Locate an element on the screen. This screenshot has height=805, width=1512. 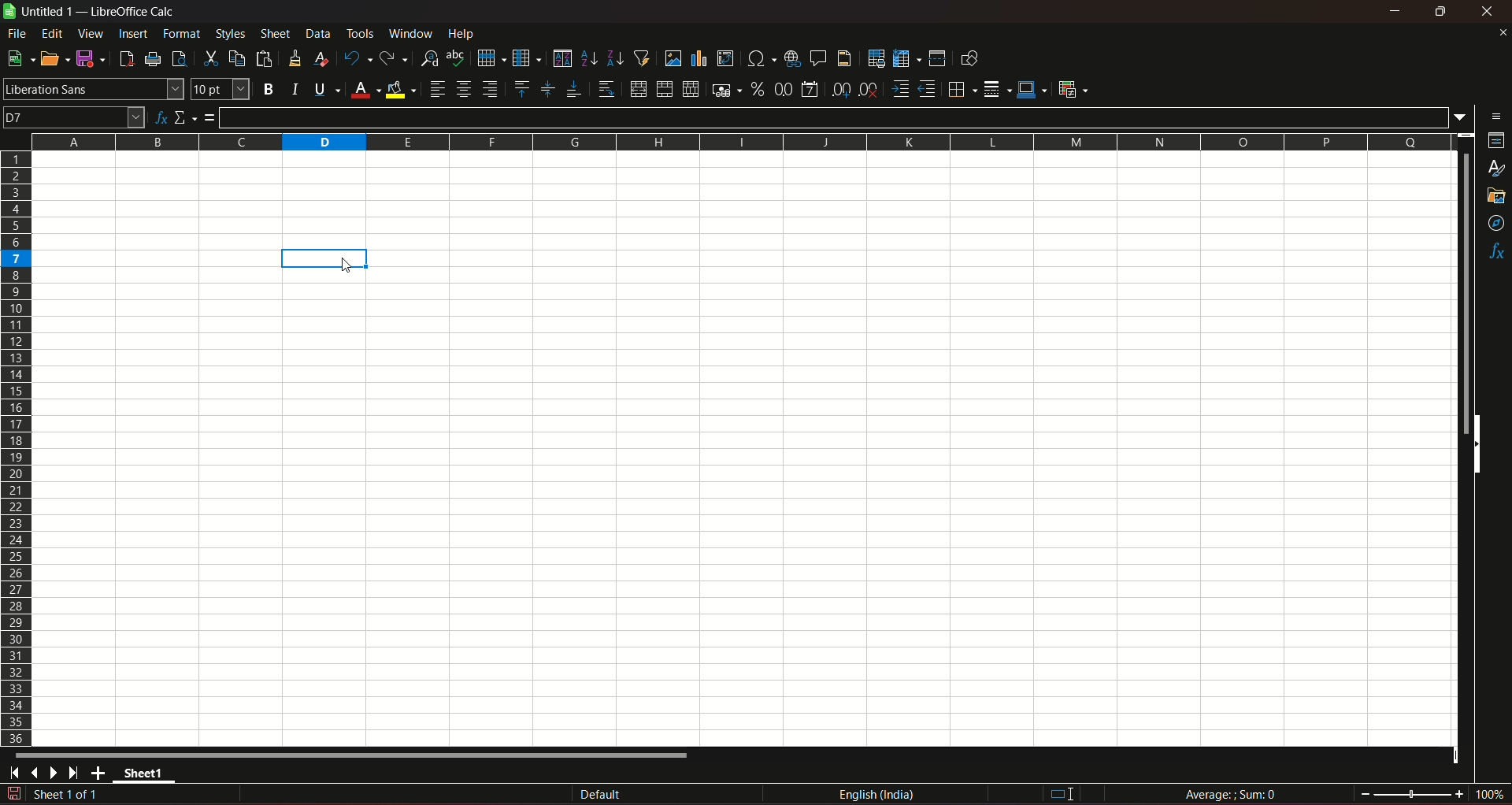
insert chart is located at coordinates (699, 59).